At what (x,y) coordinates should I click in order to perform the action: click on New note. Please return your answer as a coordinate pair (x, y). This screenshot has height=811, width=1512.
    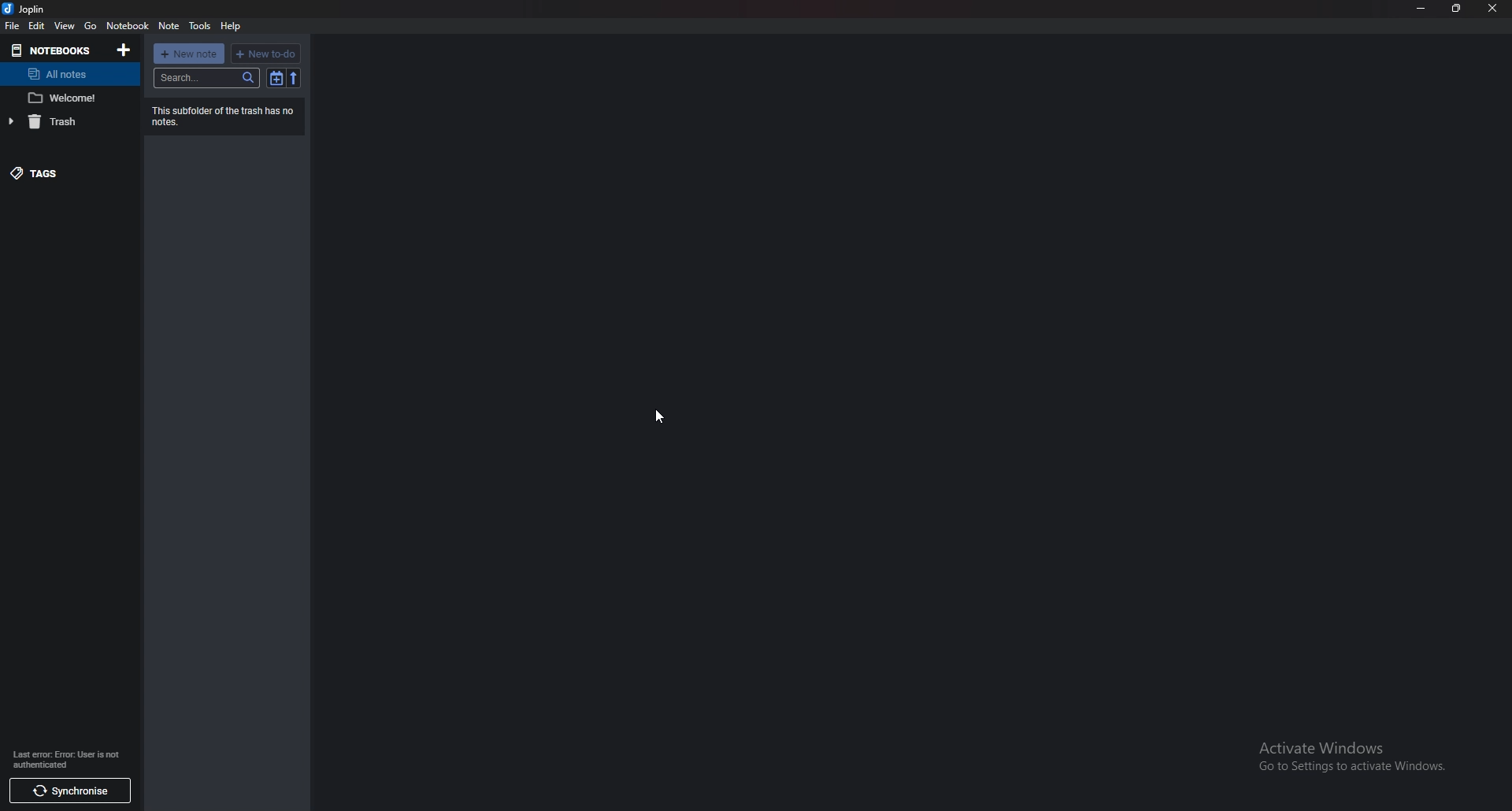
    Looking at the image, I should click on (189, 54).